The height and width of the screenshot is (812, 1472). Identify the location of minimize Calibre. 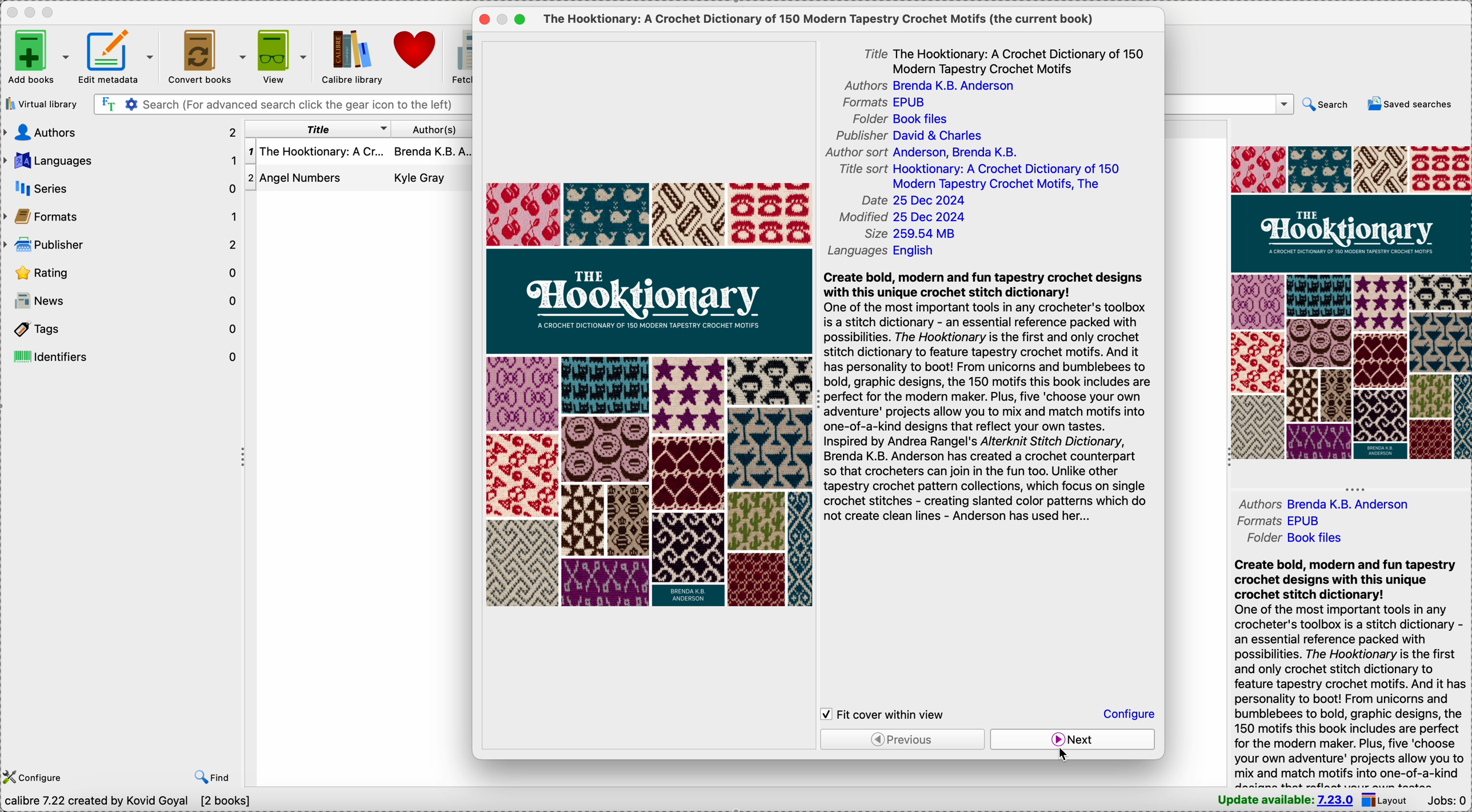
(30, 13).